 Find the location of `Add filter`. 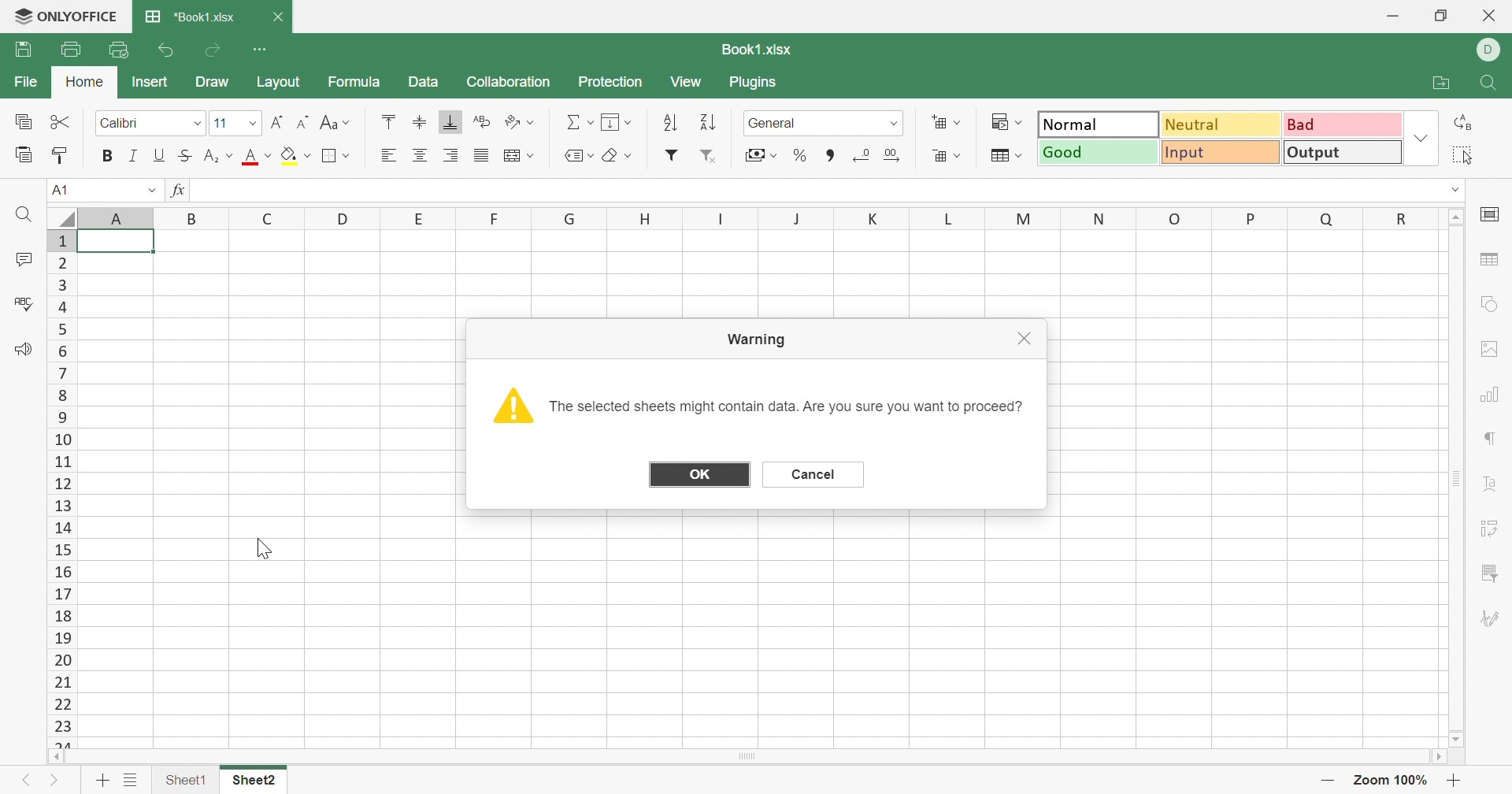

Add filter is located at coordinates (673, 154).